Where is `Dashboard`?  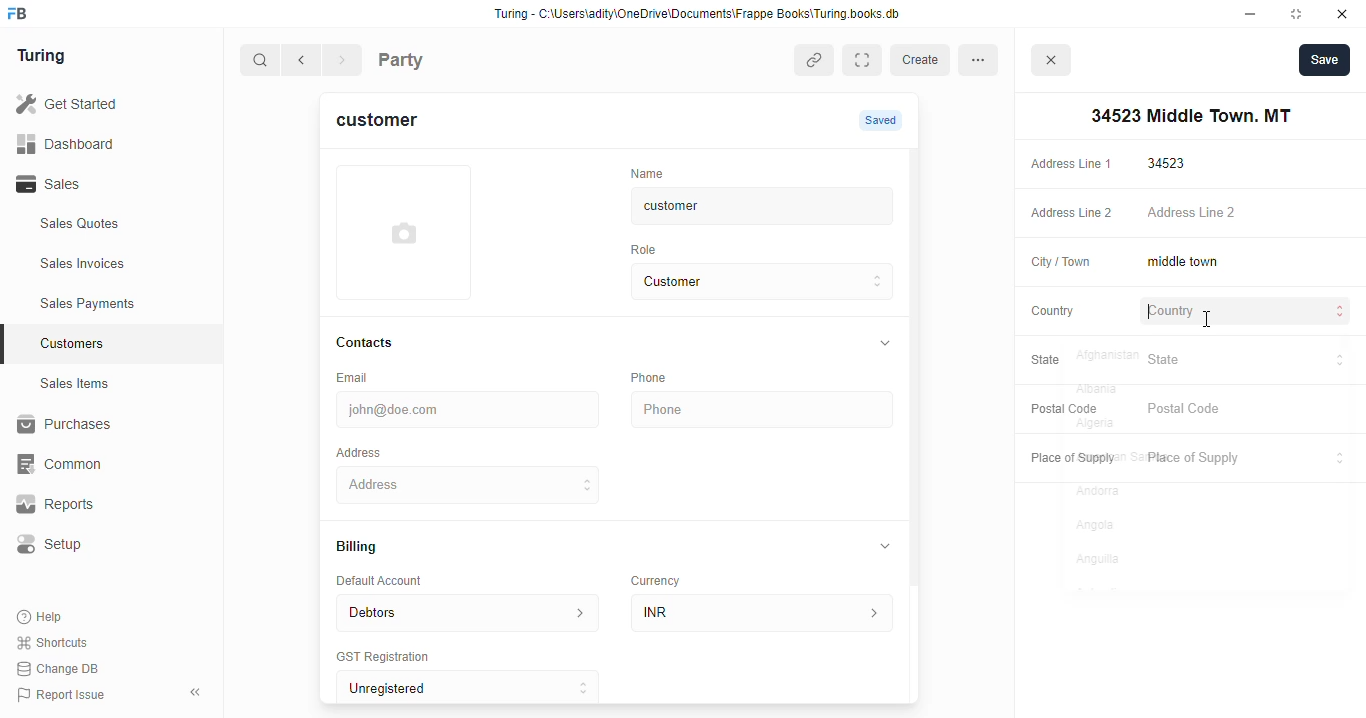
Dashboard is located at coordinates (95, 143).